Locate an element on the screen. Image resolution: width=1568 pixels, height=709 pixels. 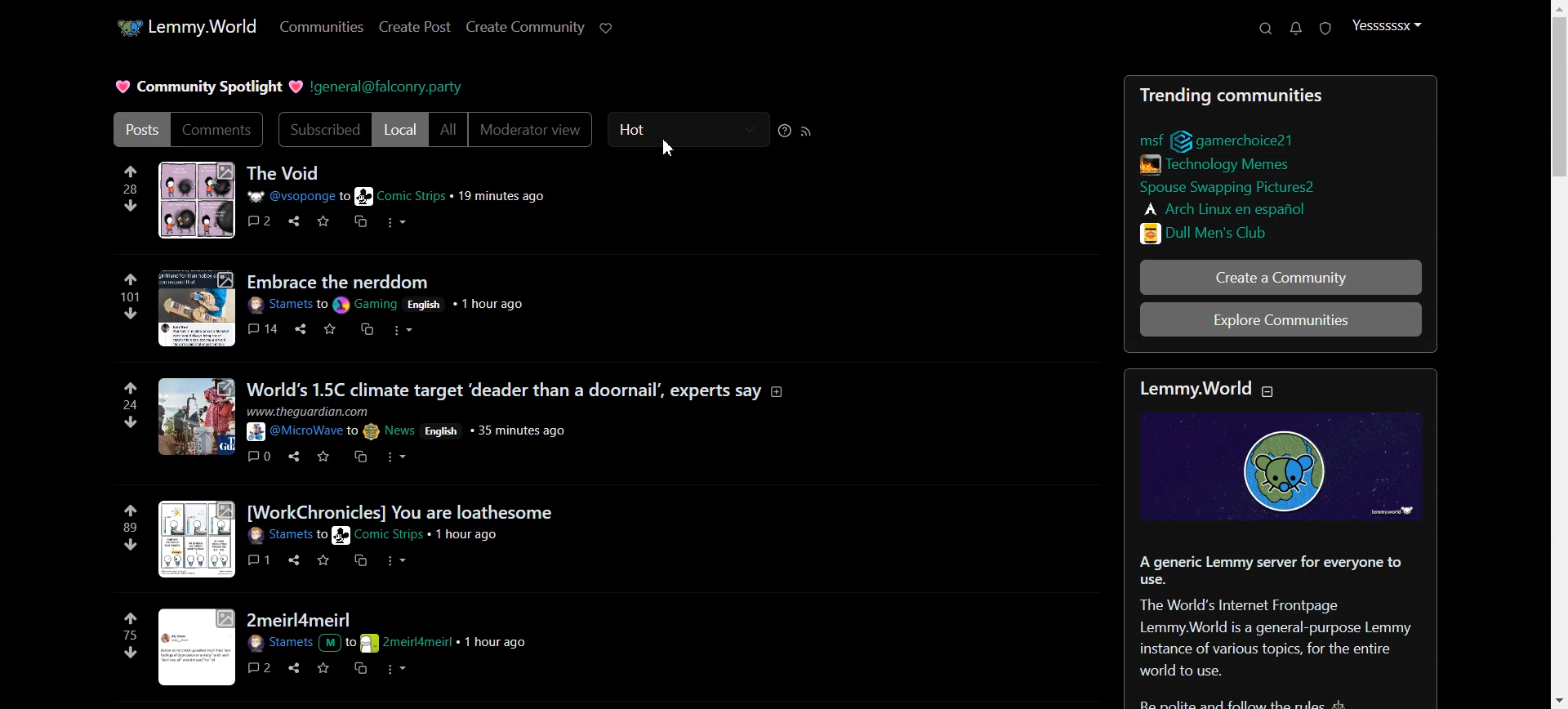
Posts is located at coordinates (1274, 94).